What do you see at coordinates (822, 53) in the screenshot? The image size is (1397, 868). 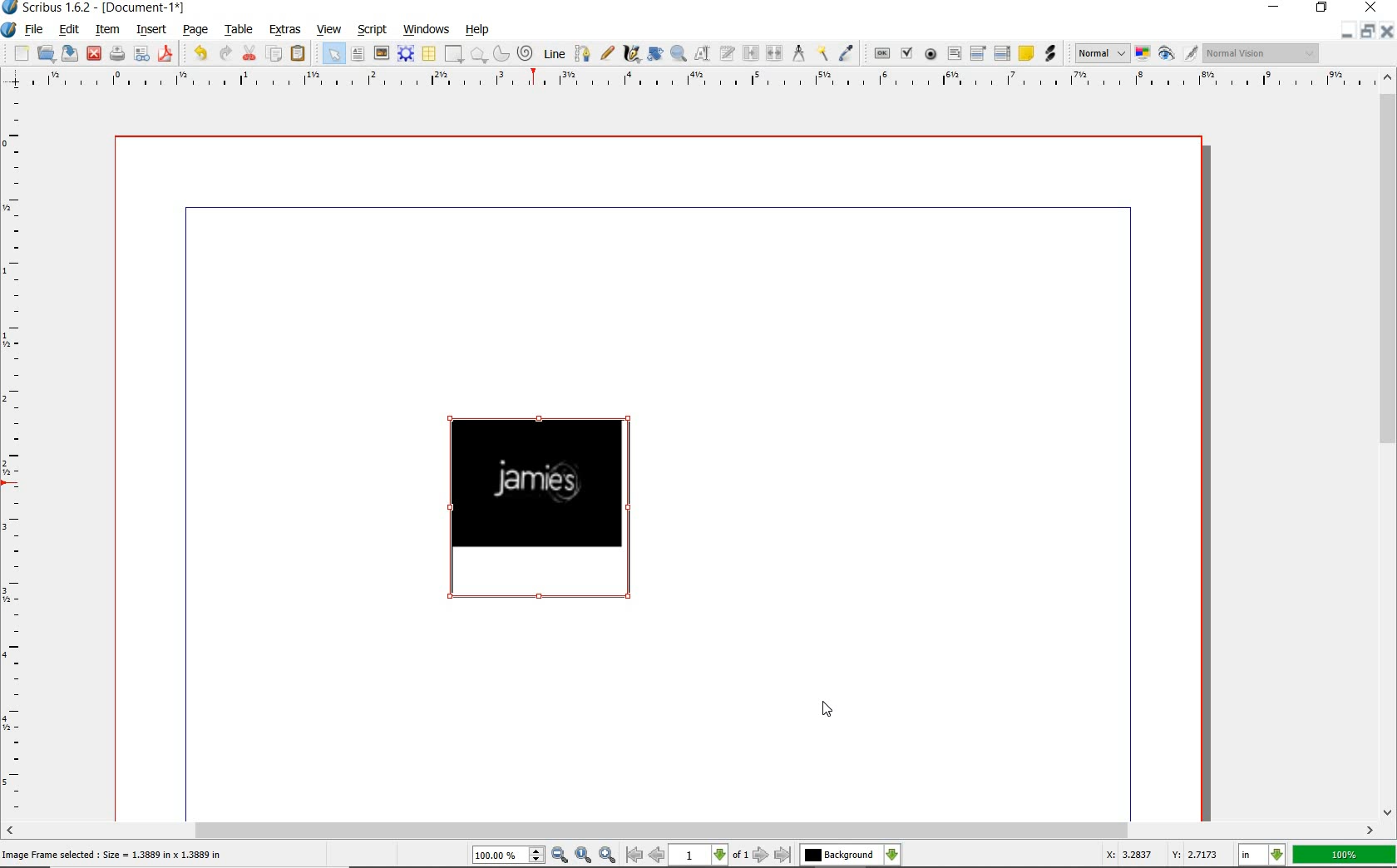 I see `copy item properties` at bounding box center [822, 53].